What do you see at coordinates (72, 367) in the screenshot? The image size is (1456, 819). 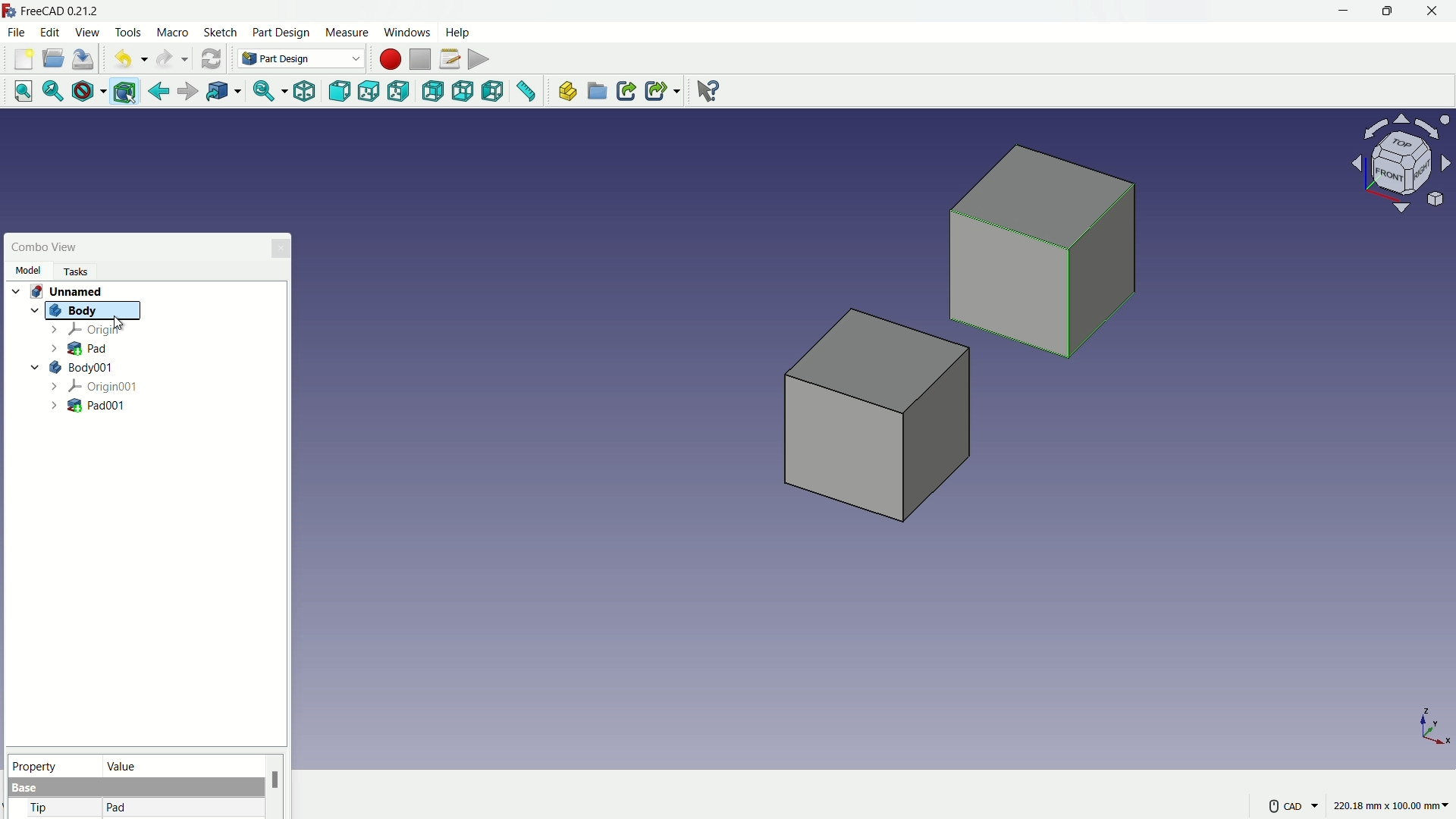 I see `body001` at bounding box center [72, 367].